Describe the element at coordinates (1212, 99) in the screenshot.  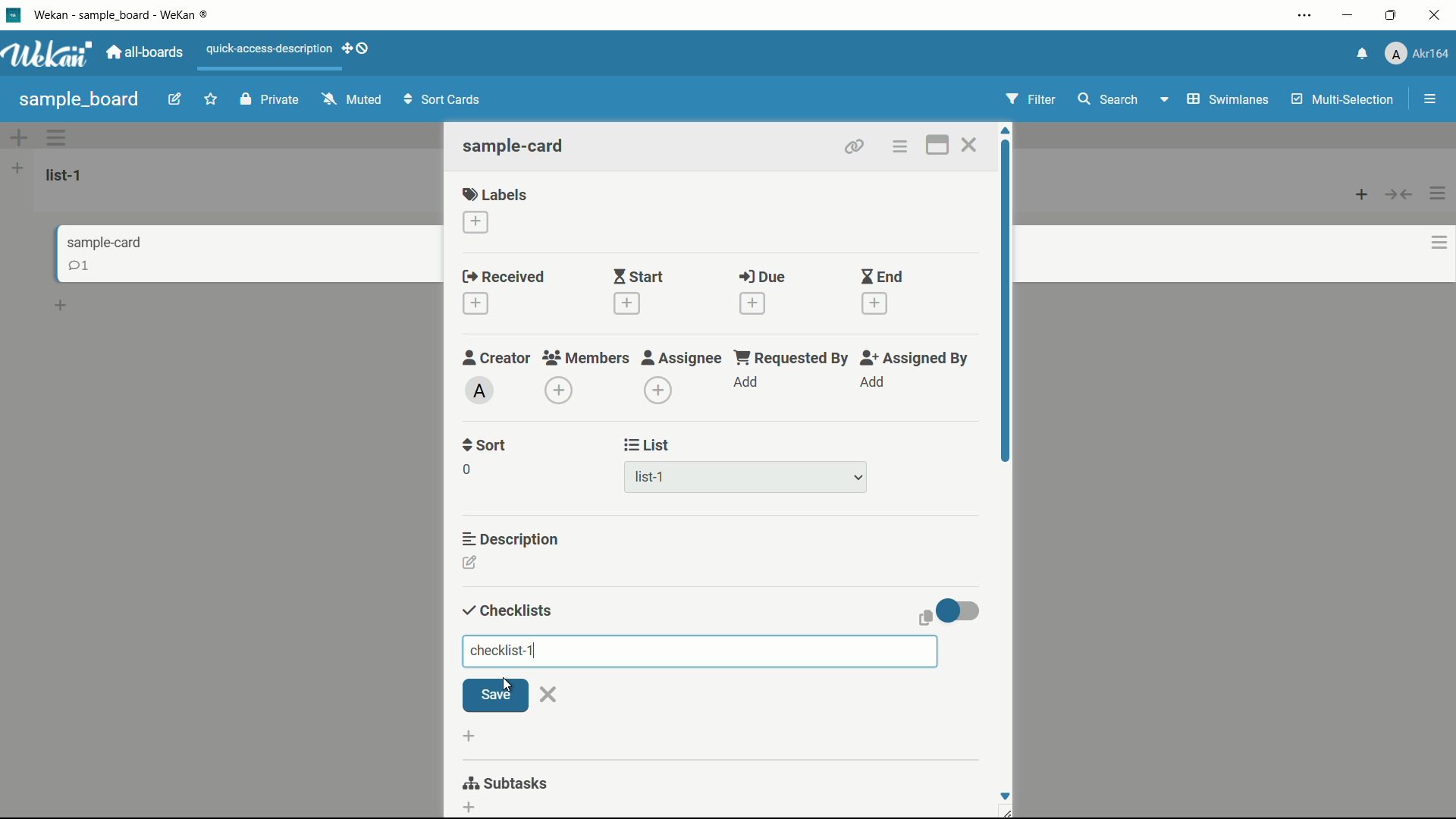
I see ` Swimlanes` at that location.